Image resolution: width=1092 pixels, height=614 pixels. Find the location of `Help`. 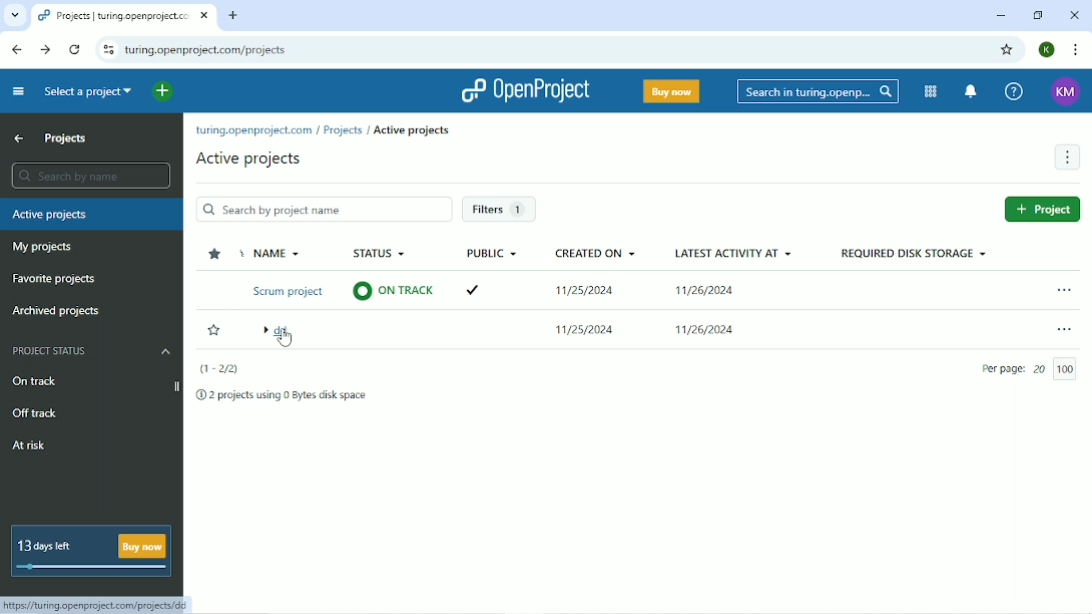

Help is located at coordinates (1014, 91).